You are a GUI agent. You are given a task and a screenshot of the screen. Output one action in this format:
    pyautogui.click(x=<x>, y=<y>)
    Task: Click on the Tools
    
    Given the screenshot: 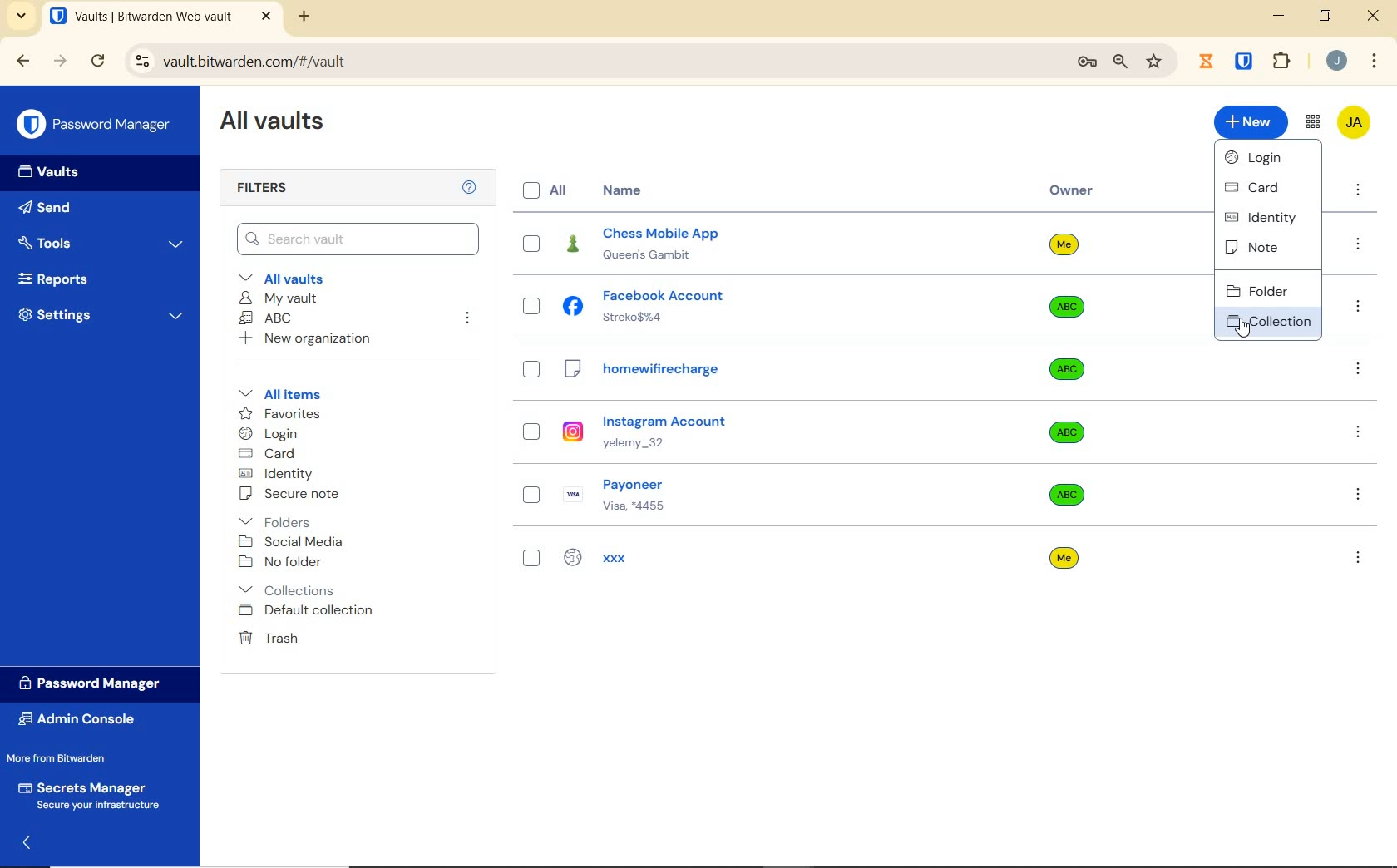 What is the action you would take?
    pyautogui.click(x=101, y=240)
    